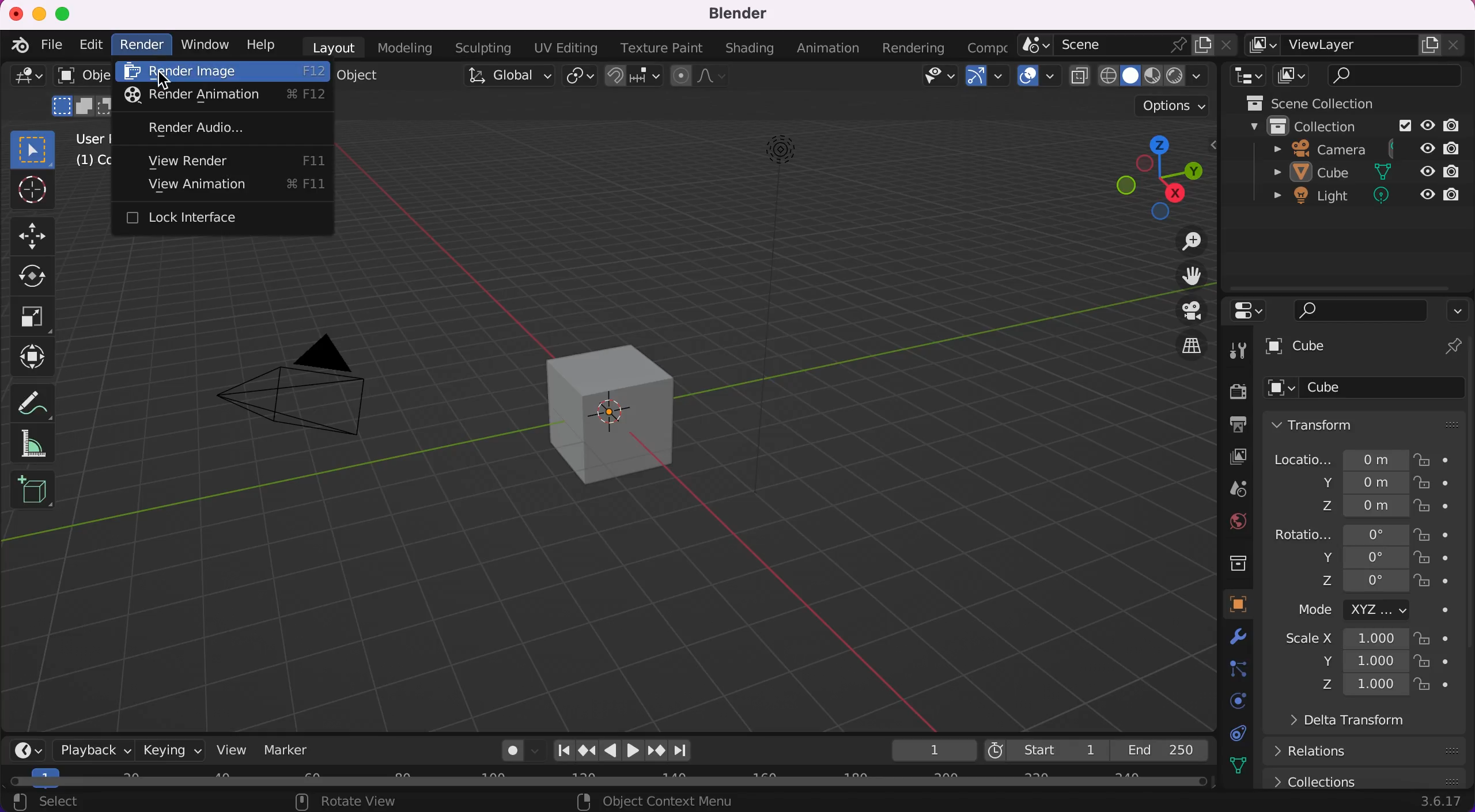 The image size is (1475, 812). What do you see at coordinates (1429, 483) in the screenshot?
I see `lock` at bounding box center [1429, 483].